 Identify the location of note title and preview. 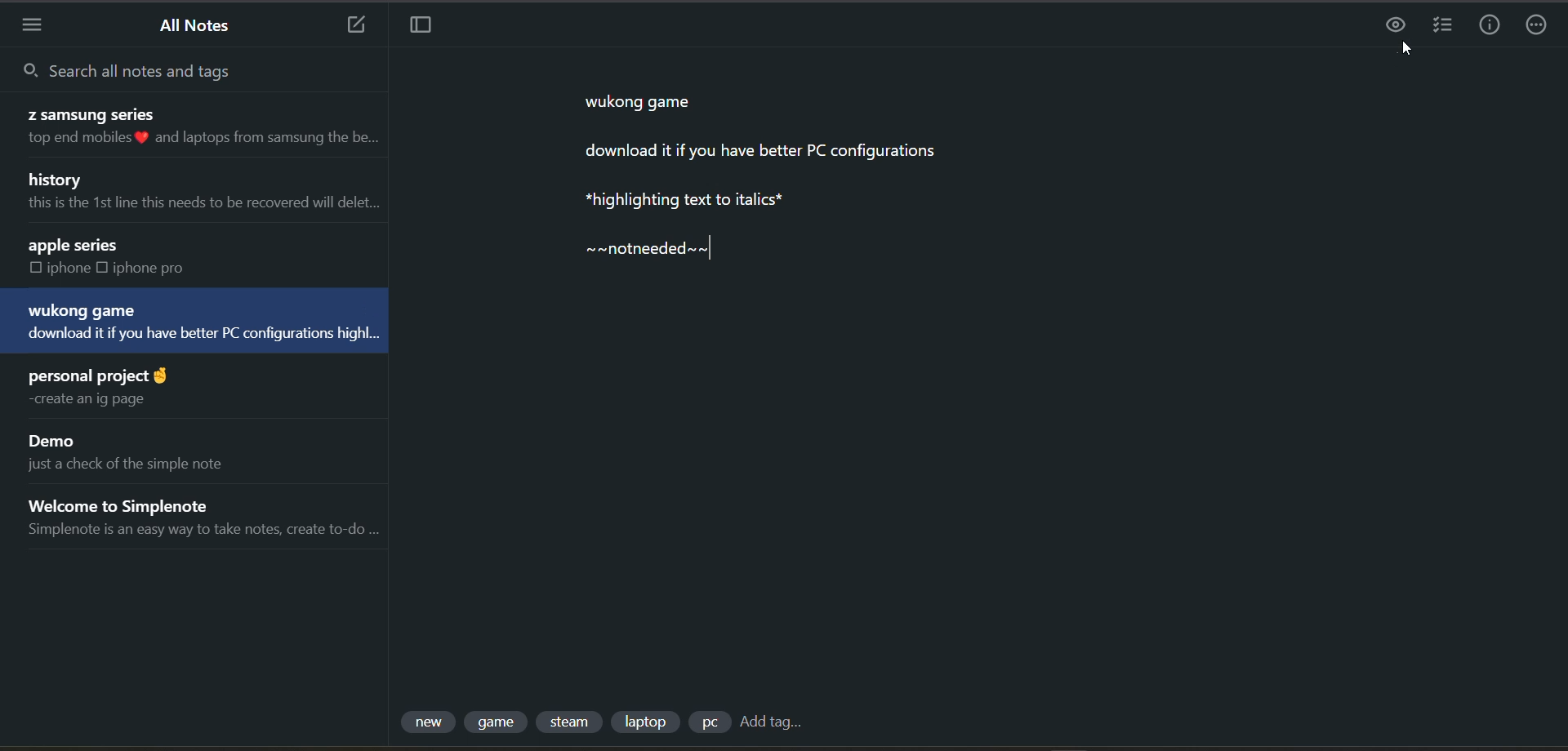
(204, 520).